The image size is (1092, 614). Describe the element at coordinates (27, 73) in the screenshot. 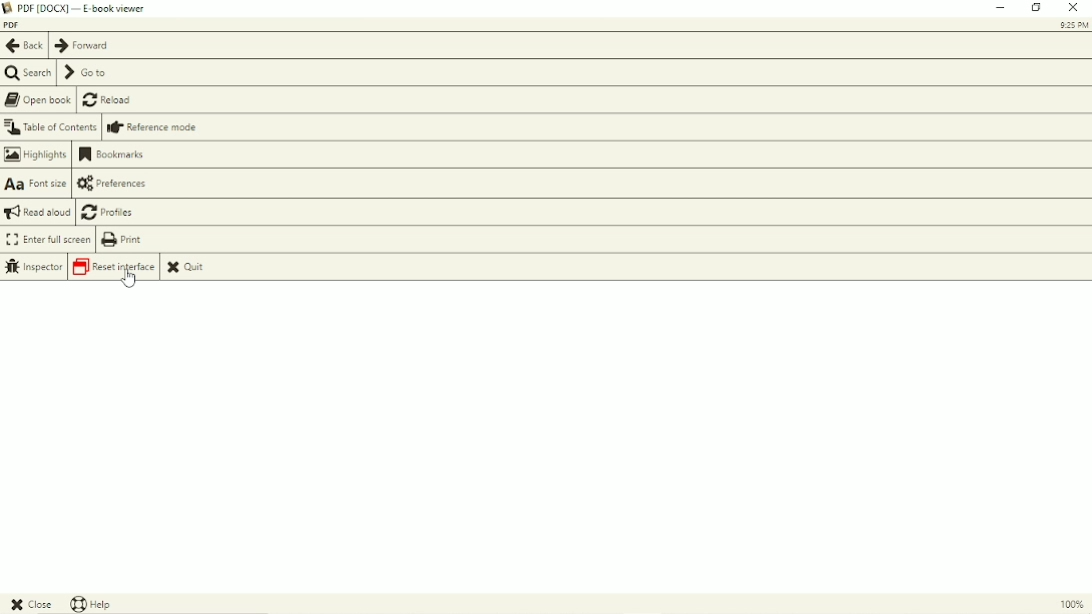

I see `Search` at that location.